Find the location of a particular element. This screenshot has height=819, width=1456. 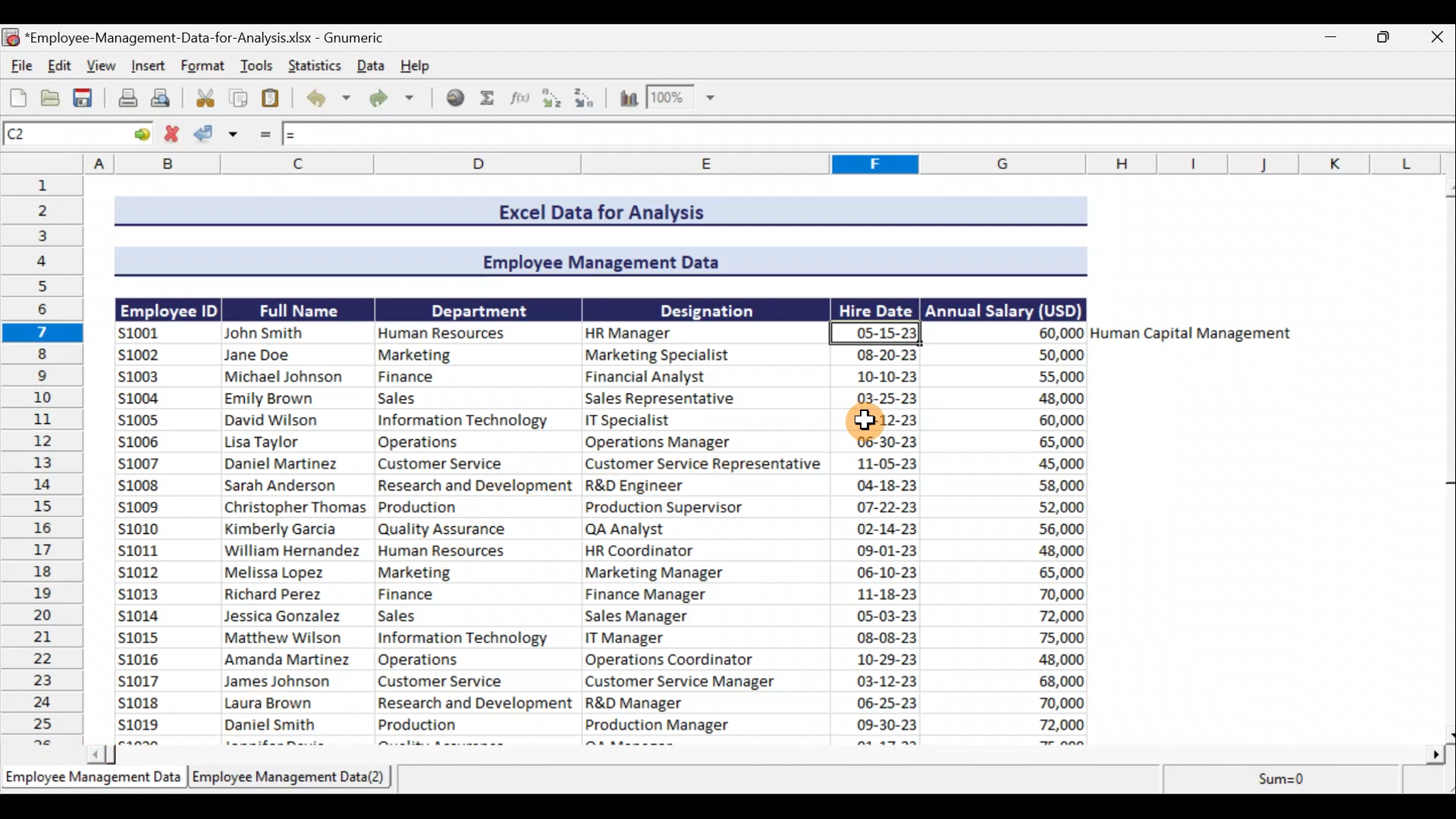

File is located at coordinates (17, 65).